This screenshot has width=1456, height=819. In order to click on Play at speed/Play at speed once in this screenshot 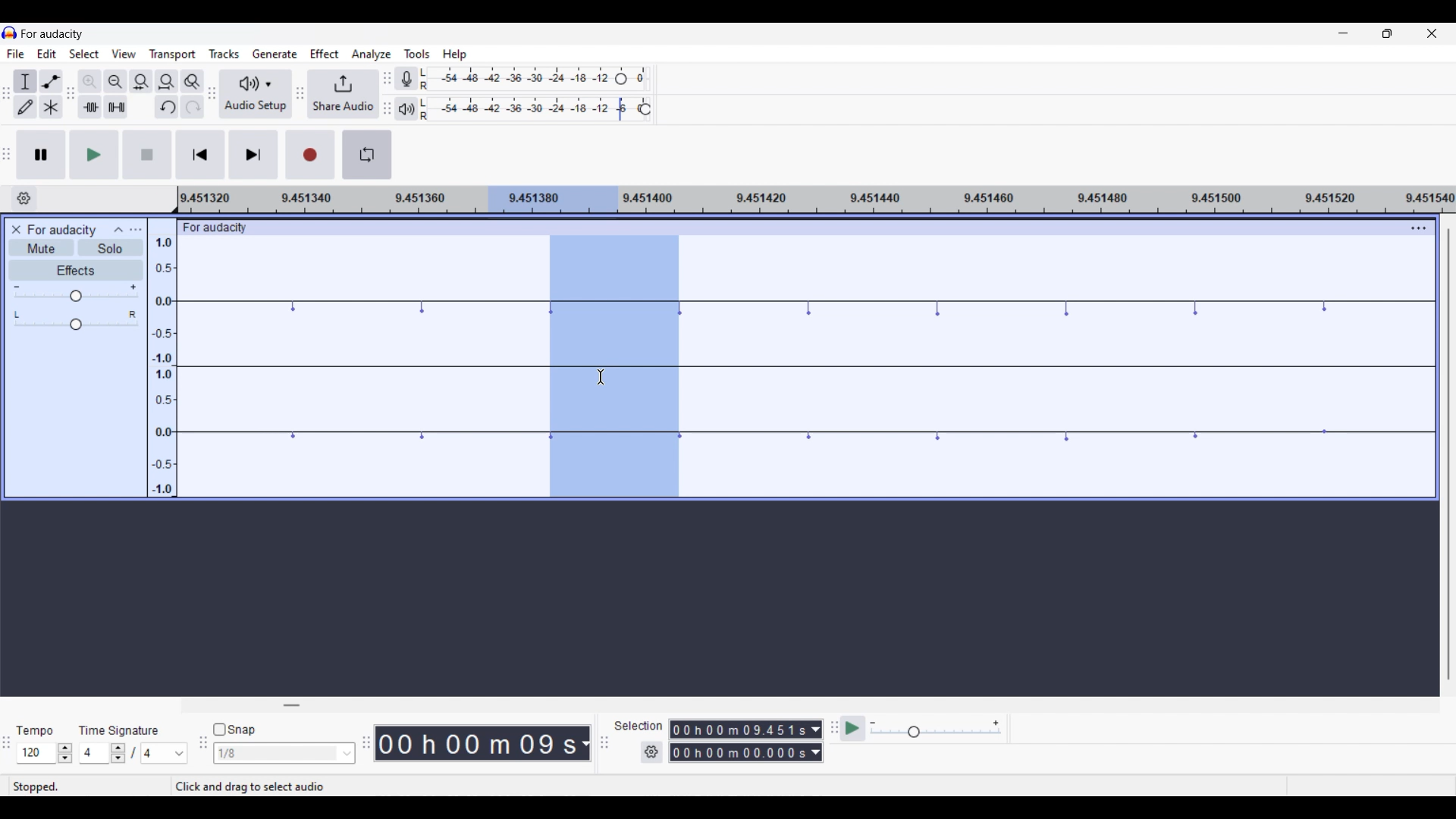, I will do `click(853, 730)`.